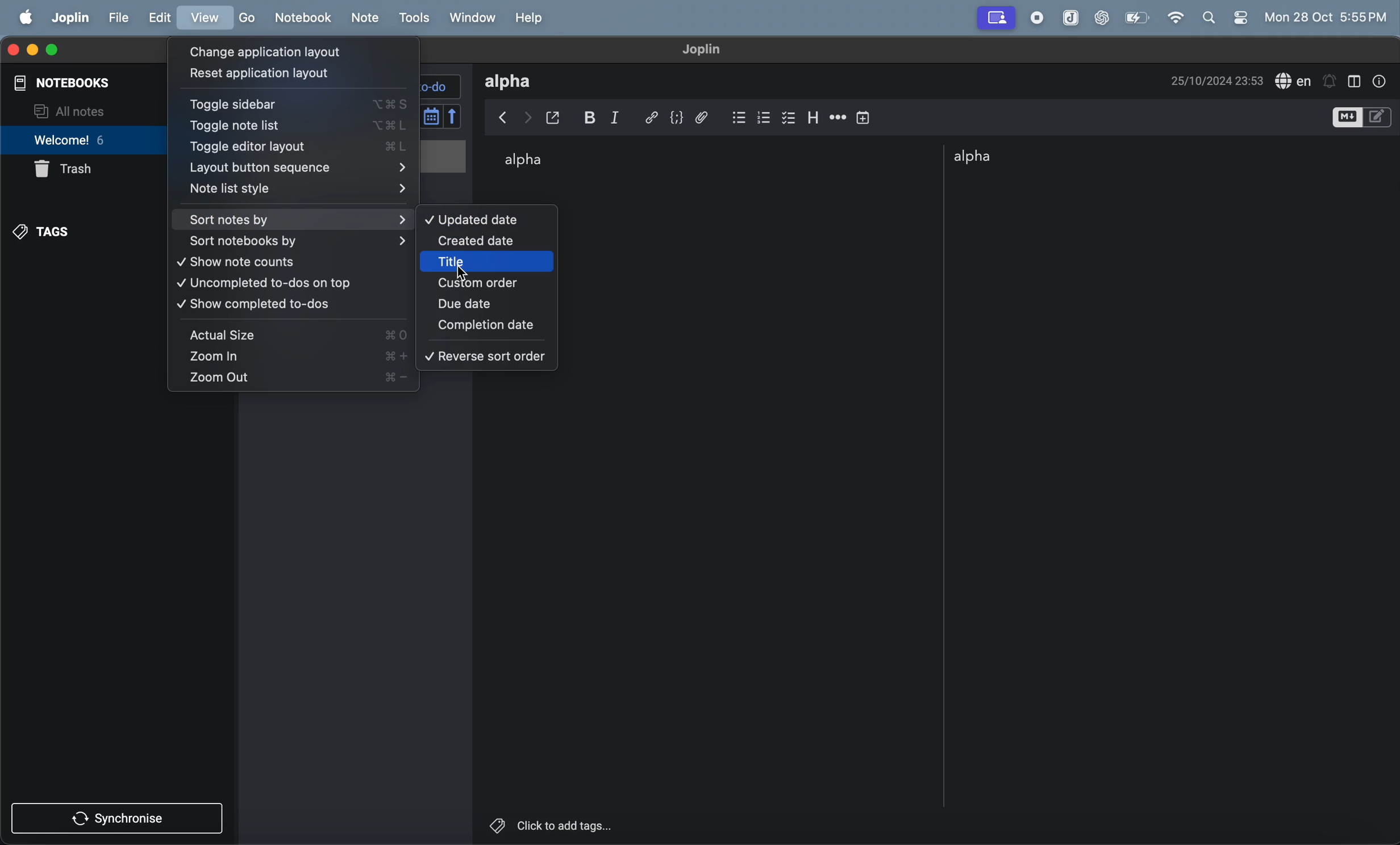 This screenshot has height=845, width=1400. Describe the element at coordinates (790, 116) in the screenshot. I see `check box` at that location.